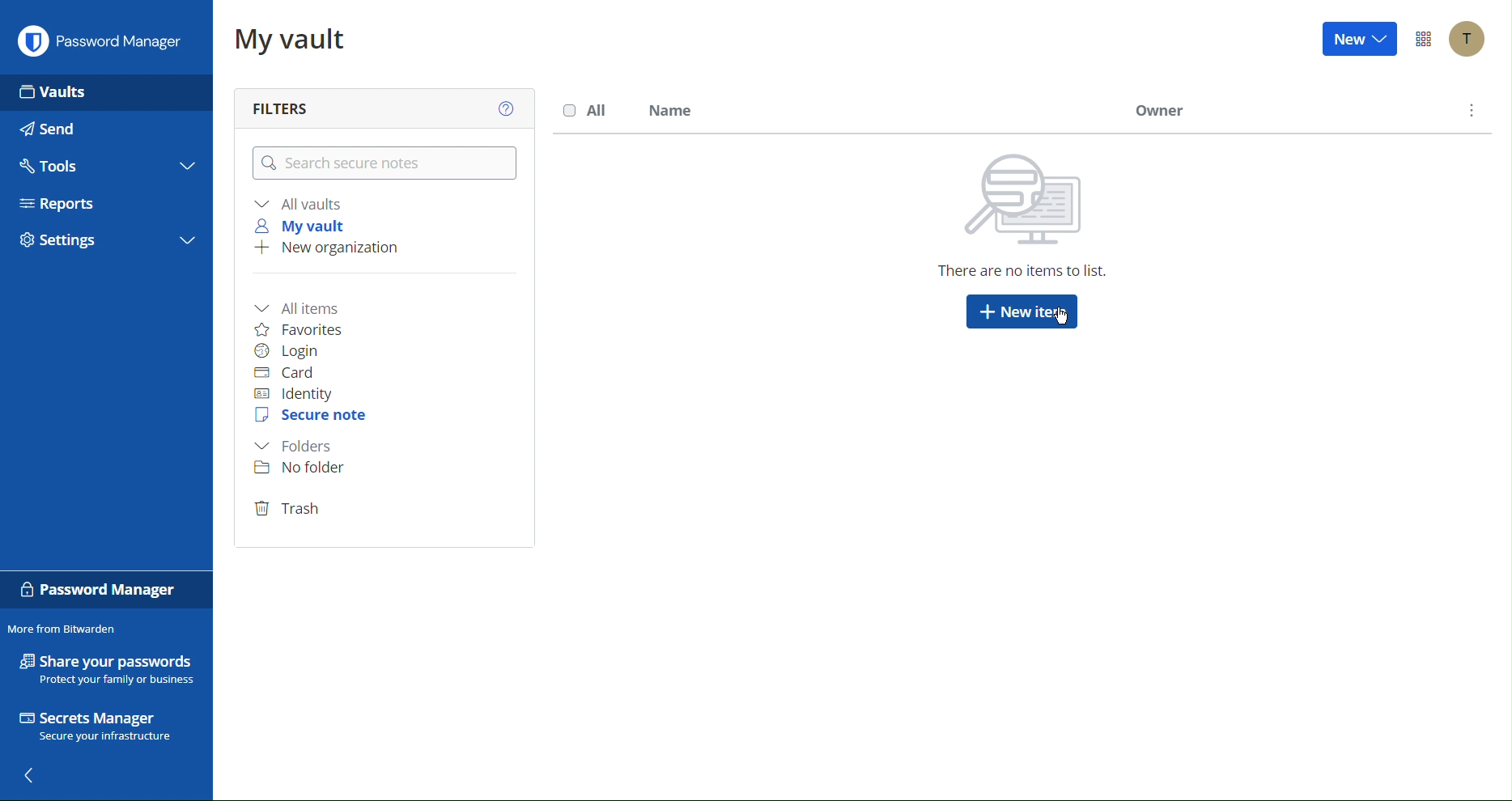 This screenshot has height=801, width=1512. What do you see at coordinates (293, 372) in the screenshot?
I see `Card` at bounding box center [293, 372].